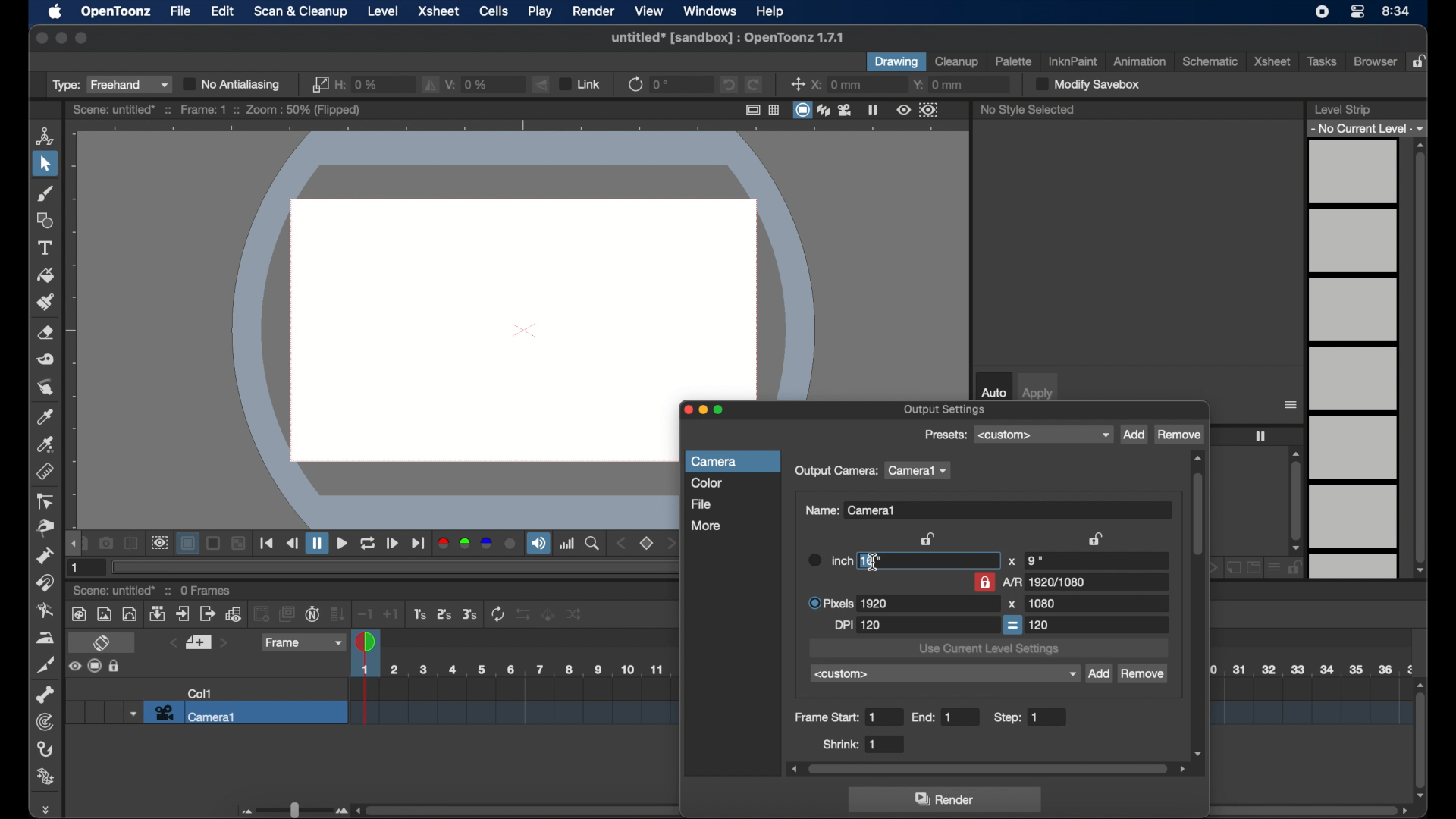  What do you see at coordinates (918, 110) in the screenshot?
I see `preview` at bounding box center [918, 110].